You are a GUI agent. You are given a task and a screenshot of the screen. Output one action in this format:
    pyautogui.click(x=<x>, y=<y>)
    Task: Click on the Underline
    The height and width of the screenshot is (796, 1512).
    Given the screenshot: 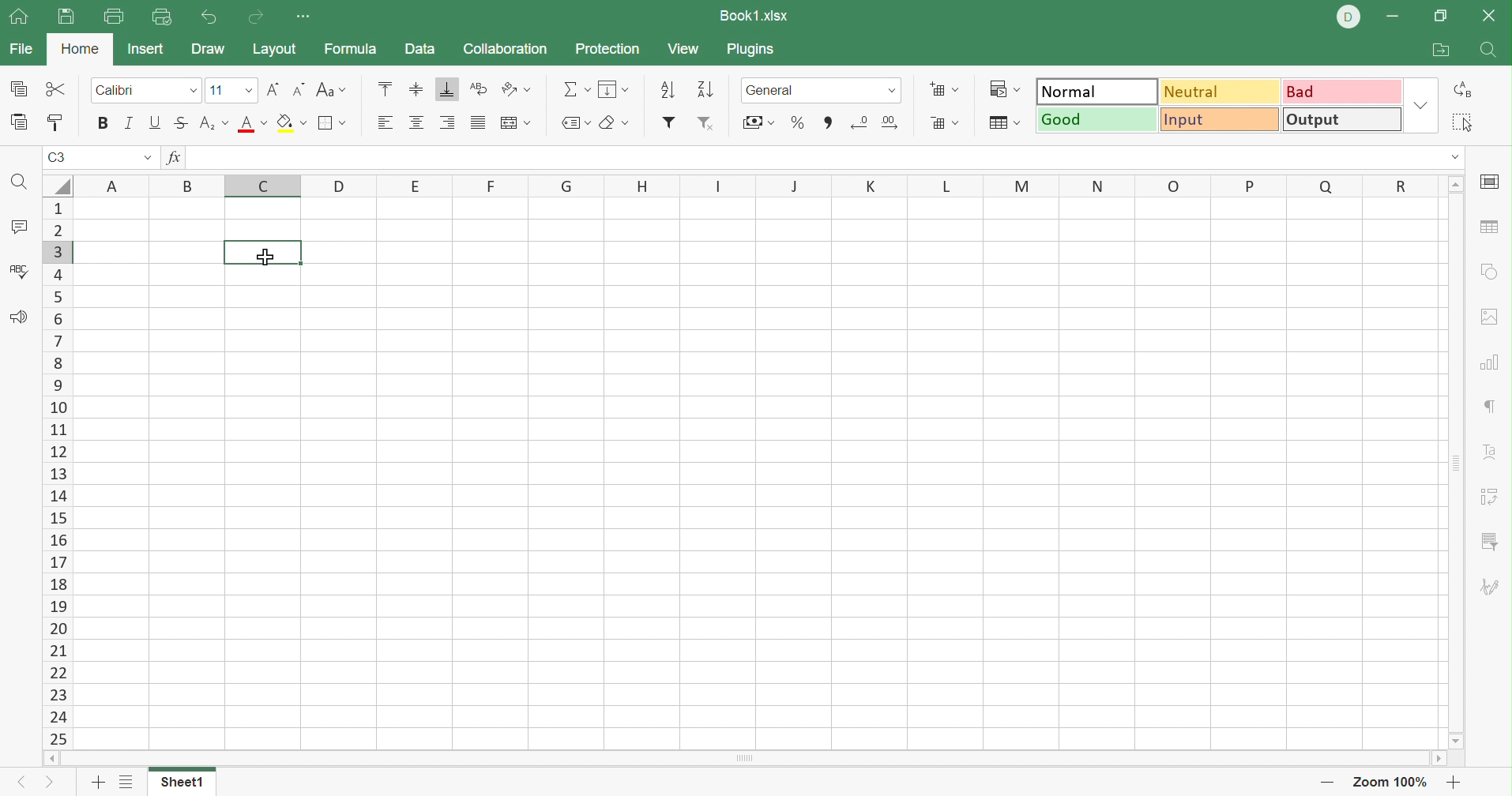 What is the action you would take?
    pyautogui.click(x=154, y=121)
    